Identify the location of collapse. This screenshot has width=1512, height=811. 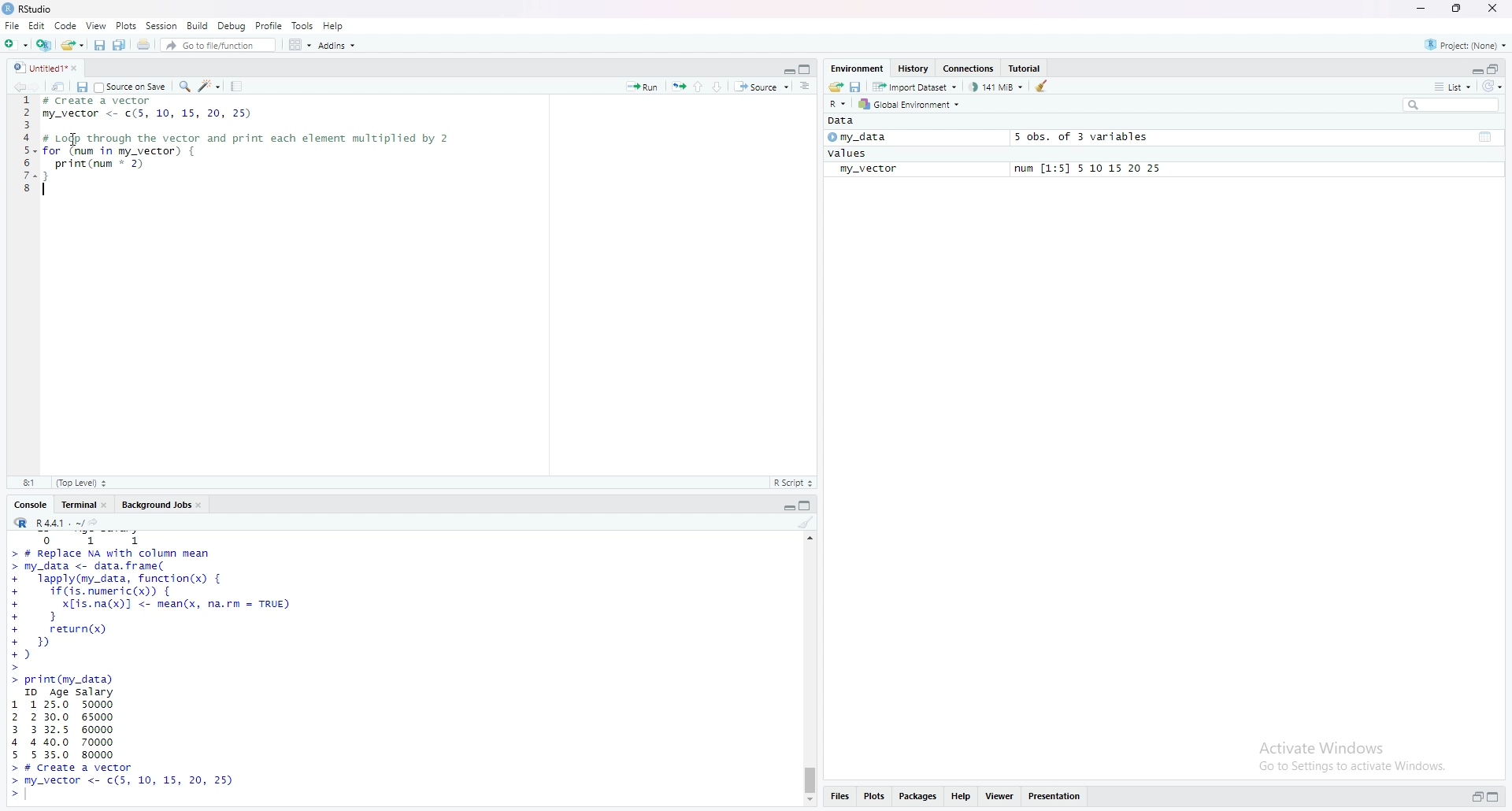
(1495, 69).